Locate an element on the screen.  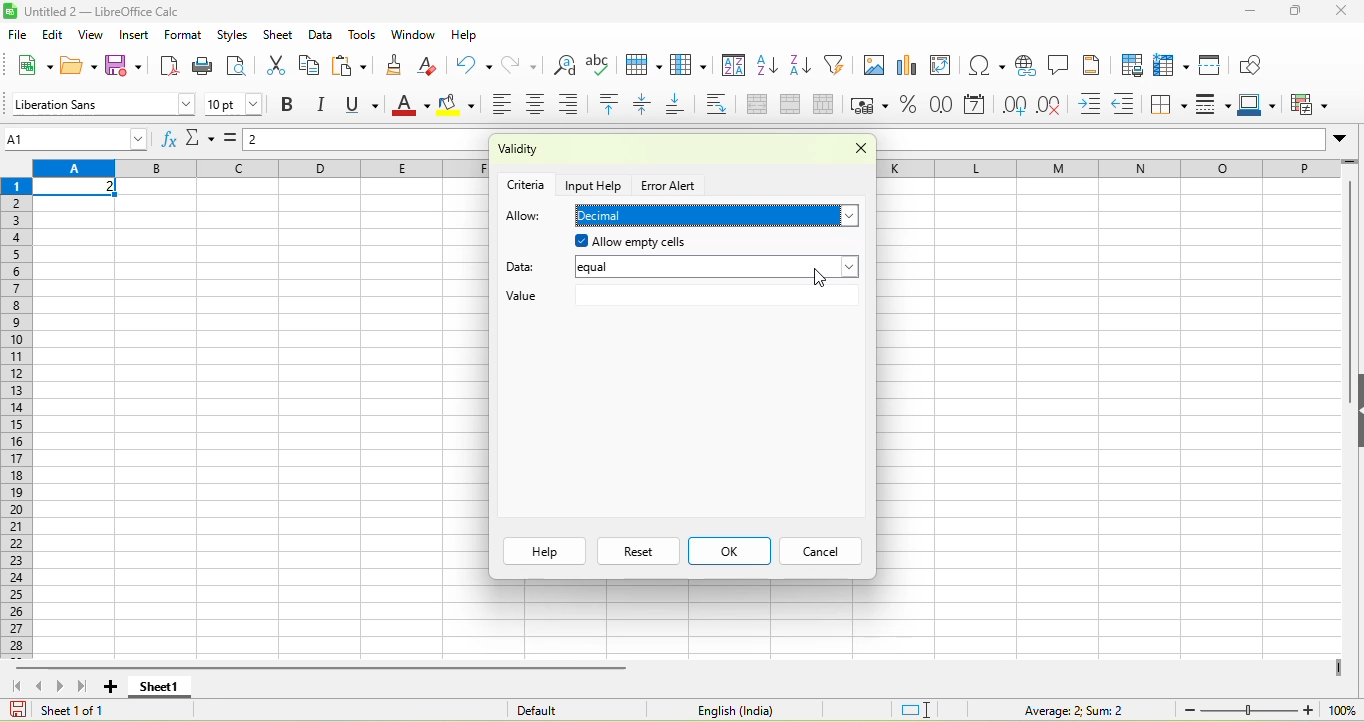
sort is located at coordinates (734, 68).